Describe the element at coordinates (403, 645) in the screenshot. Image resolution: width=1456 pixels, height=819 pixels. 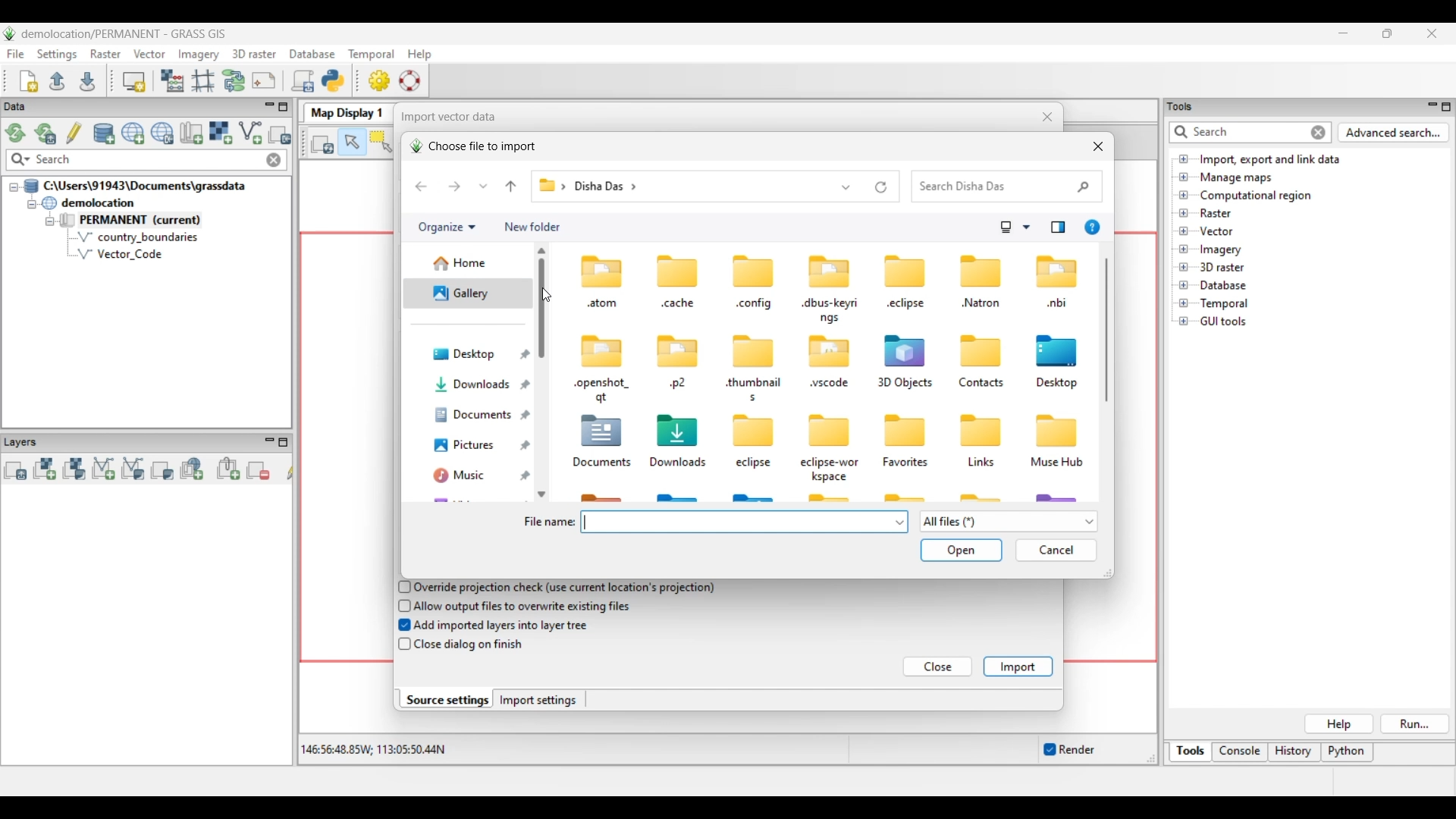
I see `checkbox` at that location.